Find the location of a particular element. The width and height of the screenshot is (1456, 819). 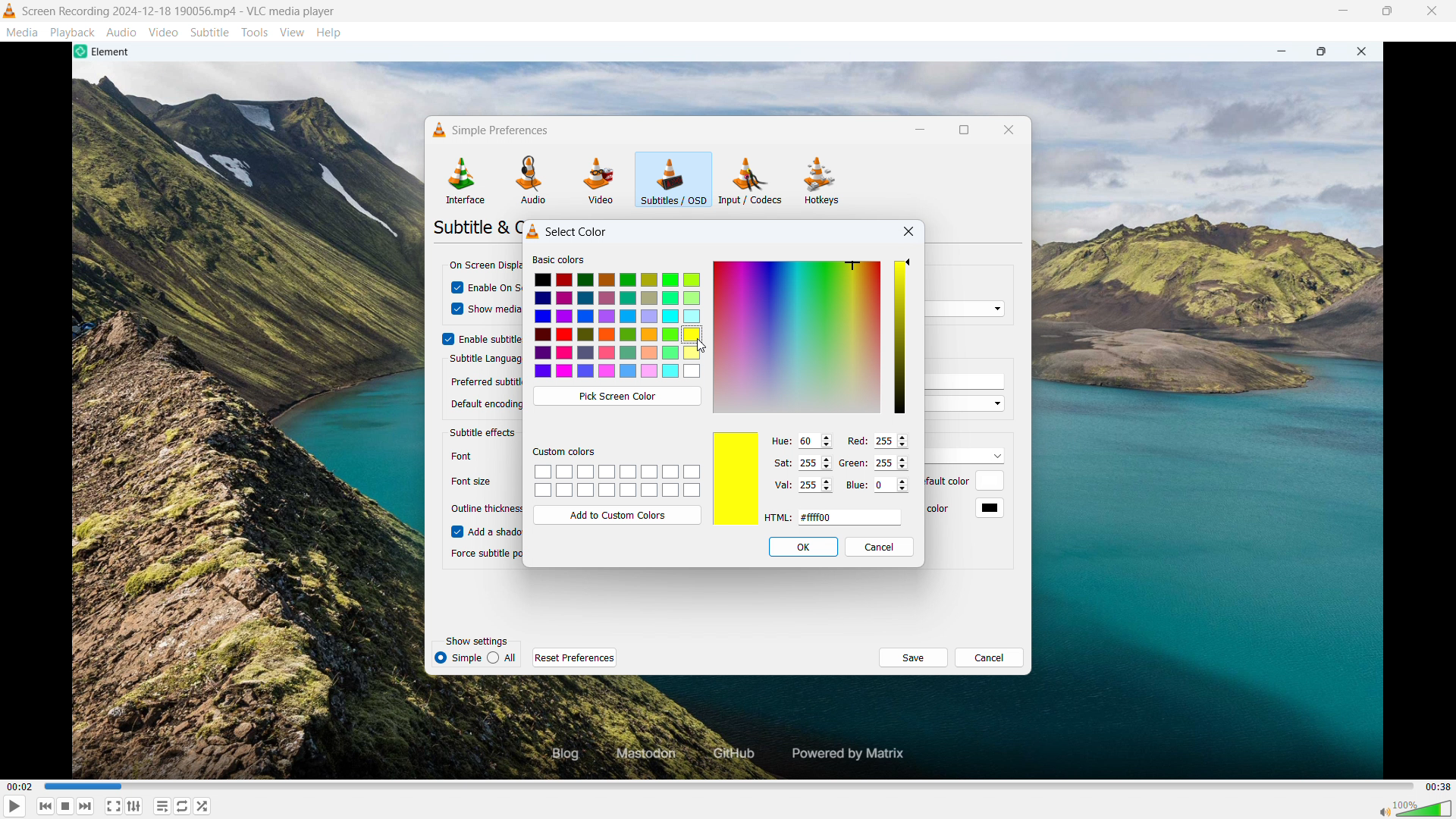

Maximise  is located at coordinates (1387, 11).